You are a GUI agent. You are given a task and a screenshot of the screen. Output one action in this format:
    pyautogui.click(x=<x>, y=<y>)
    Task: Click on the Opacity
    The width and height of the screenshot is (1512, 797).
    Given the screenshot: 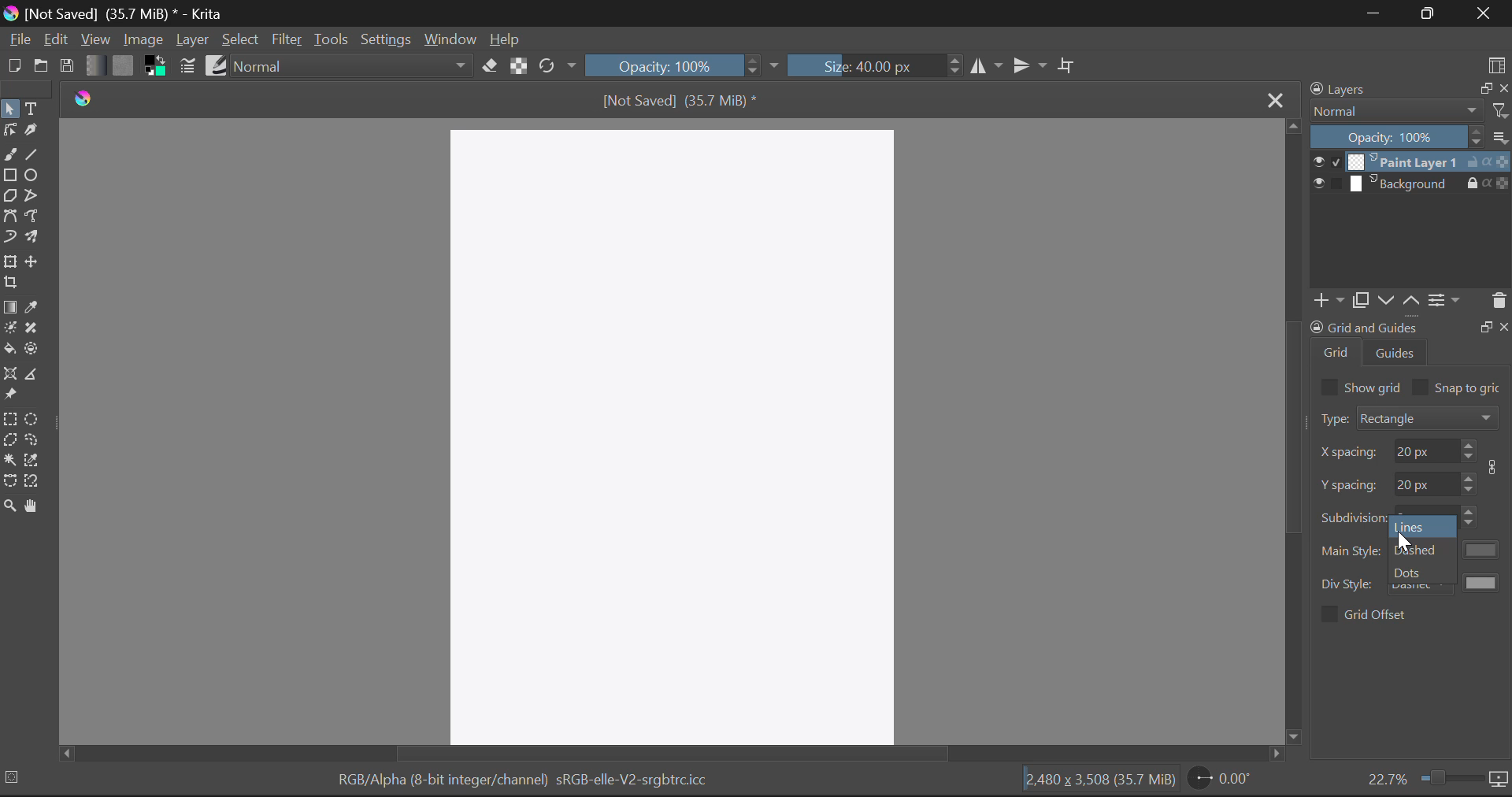 What is the action you would take?
    pyautogui.click(x=682, y=65)
    